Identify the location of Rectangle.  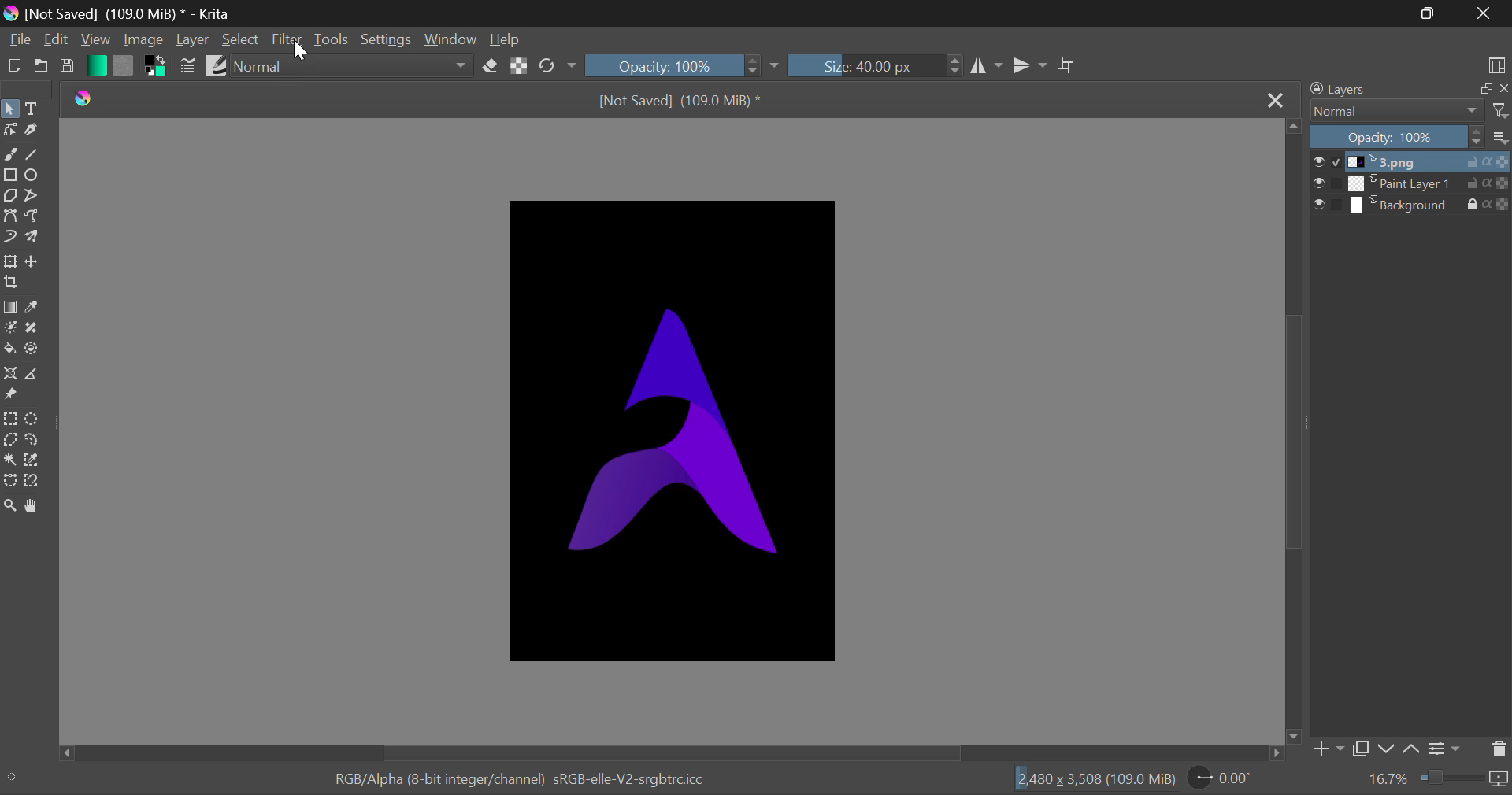
(9, 174).